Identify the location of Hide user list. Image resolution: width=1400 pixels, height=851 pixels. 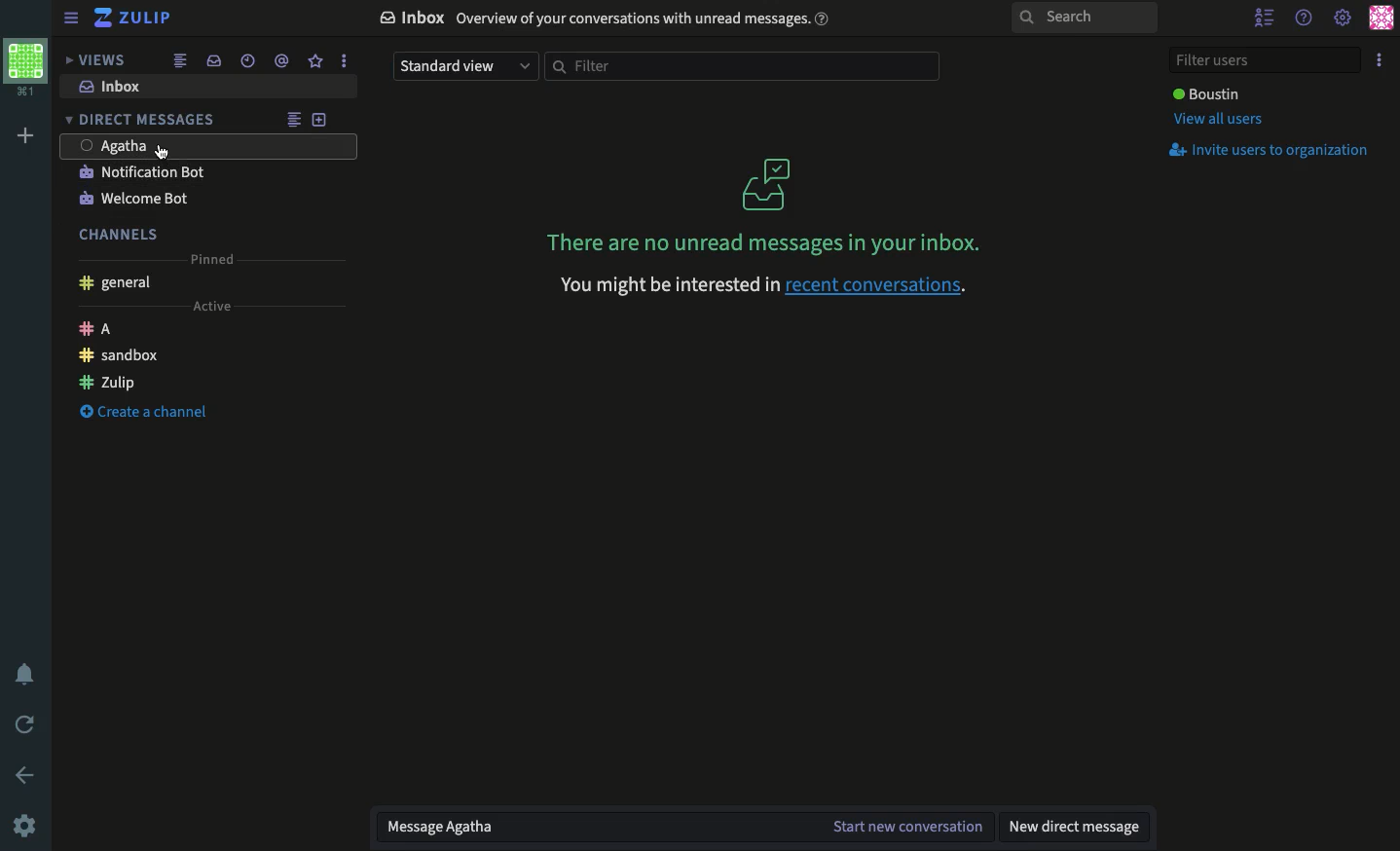
(1268, 16).